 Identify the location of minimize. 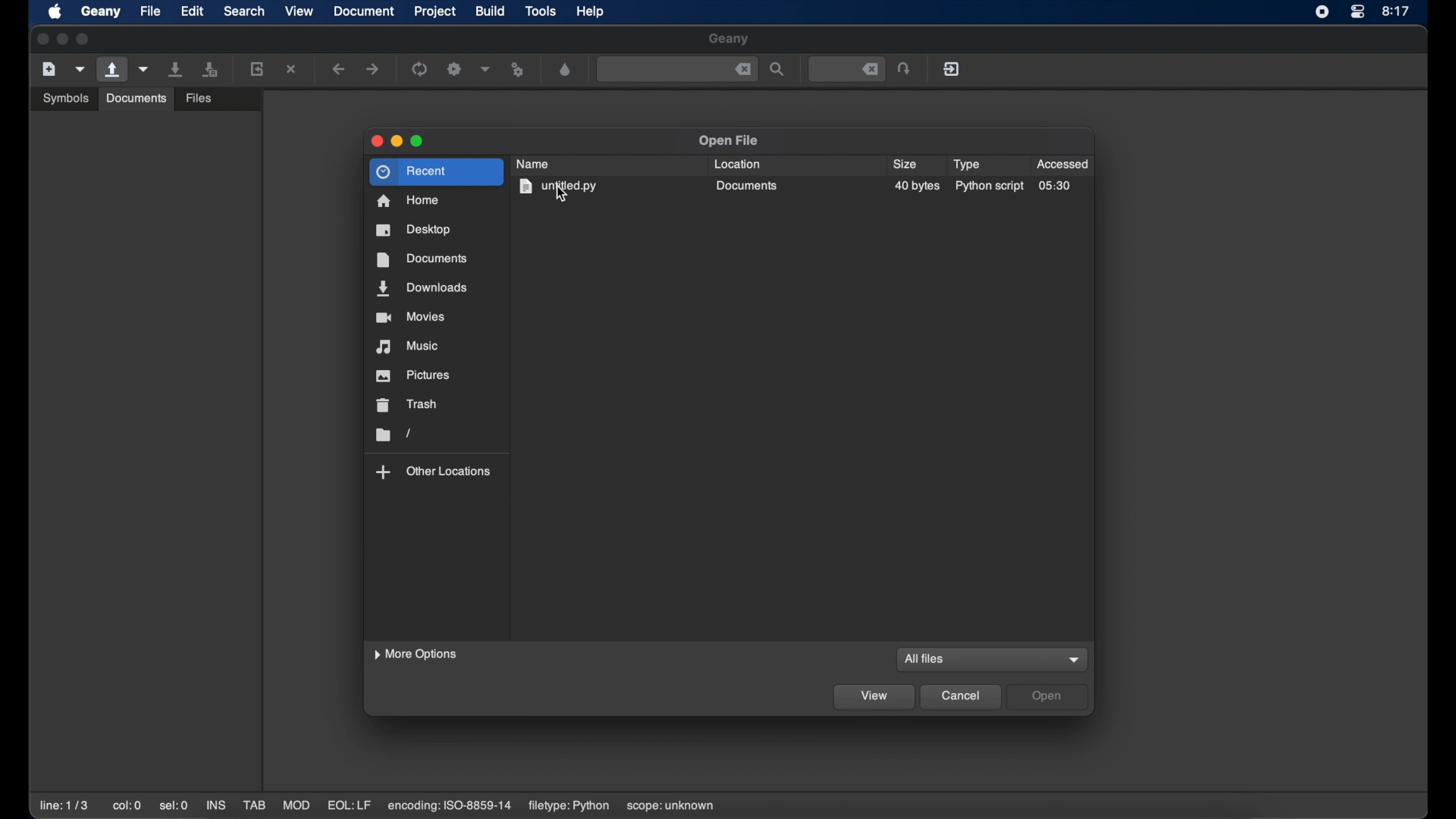
(62, 39).